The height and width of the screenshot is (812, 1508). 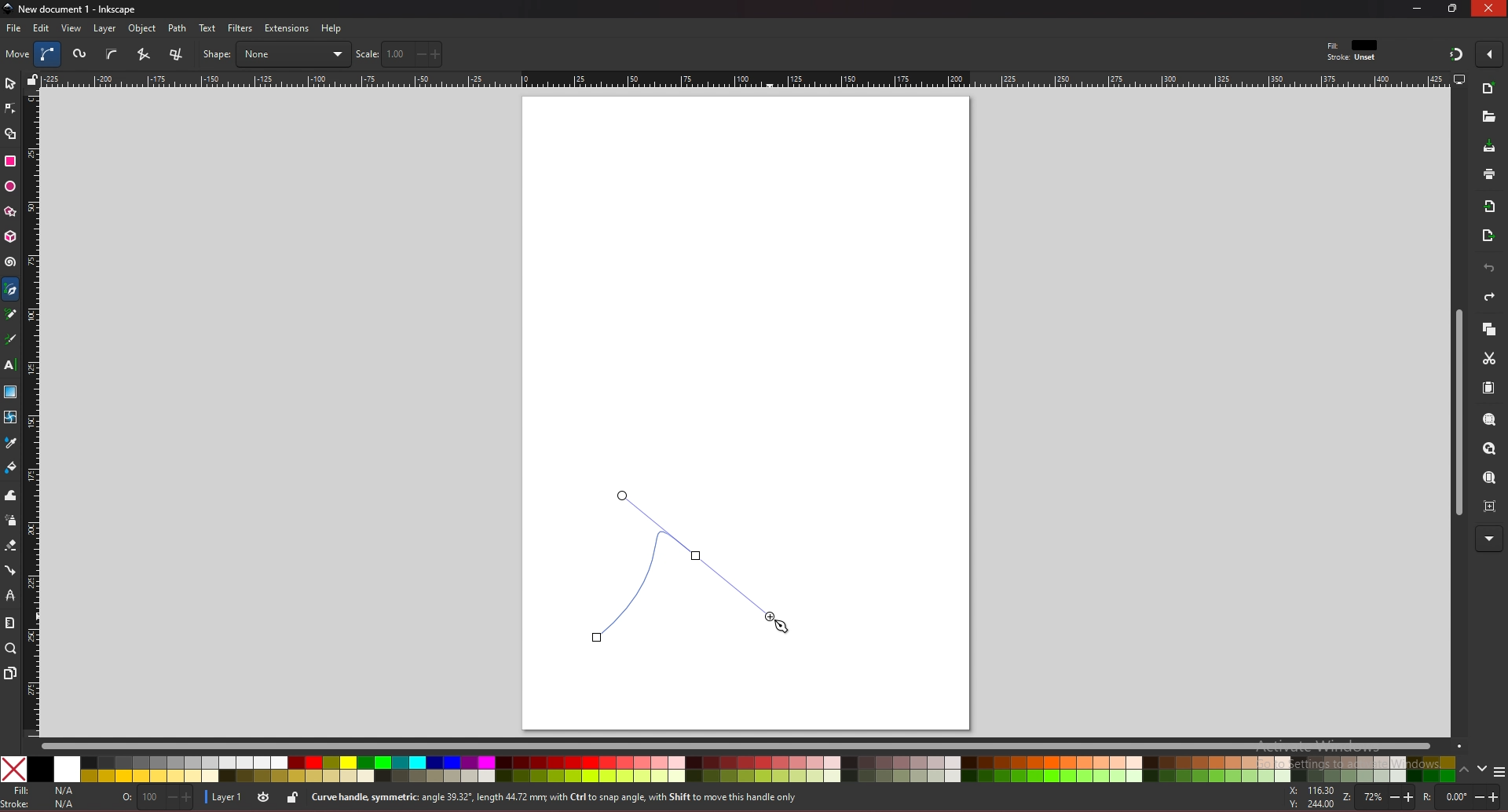 I want to click on stroke, so click(x=42, y=804).